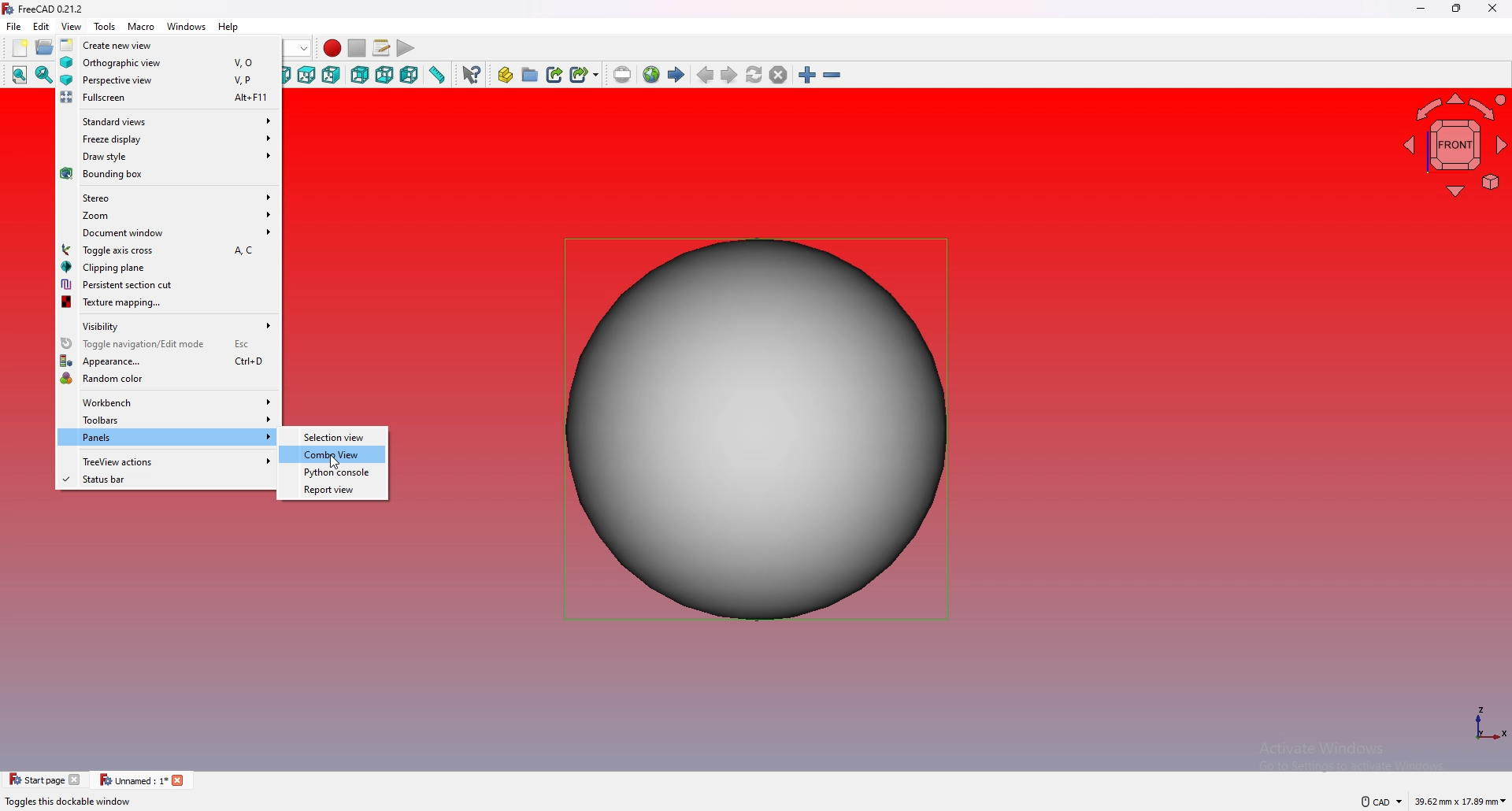 Image resolution: width=1512 pixels, height=811 pixels. I want to click on zoom, so click(169, 215).